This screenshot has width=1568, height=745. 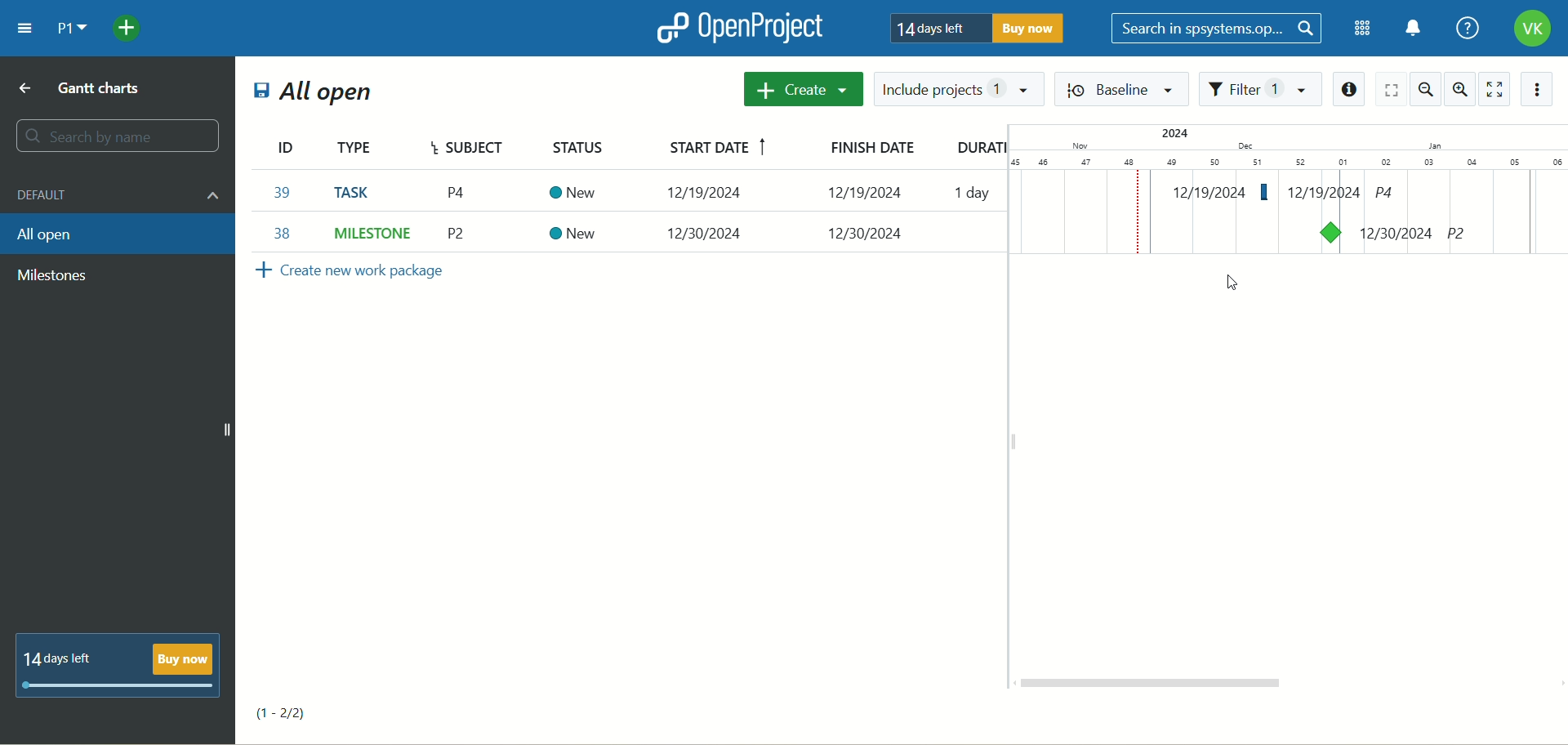 What do you see at coordinates (114, 668) in the screenshot?
I see `14 days left buy now ` at bounding box center [114, 668].